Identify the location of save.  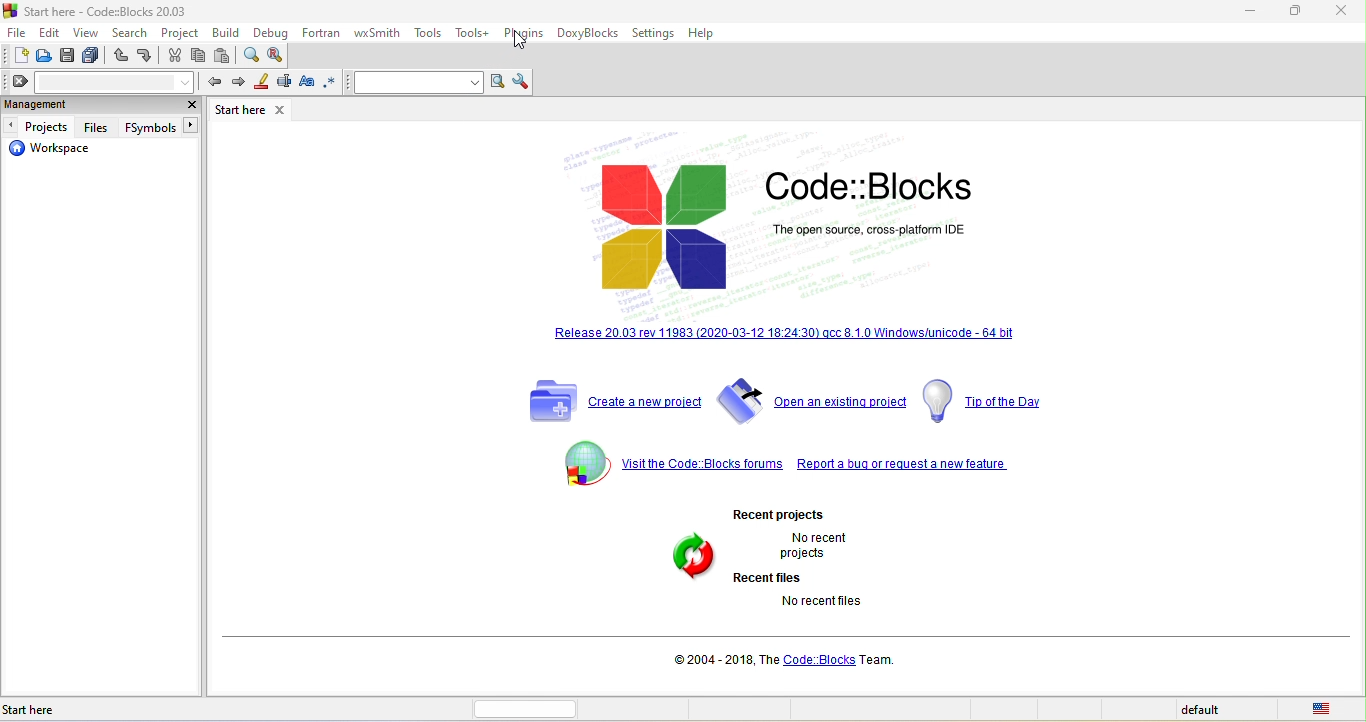
(67, 57).